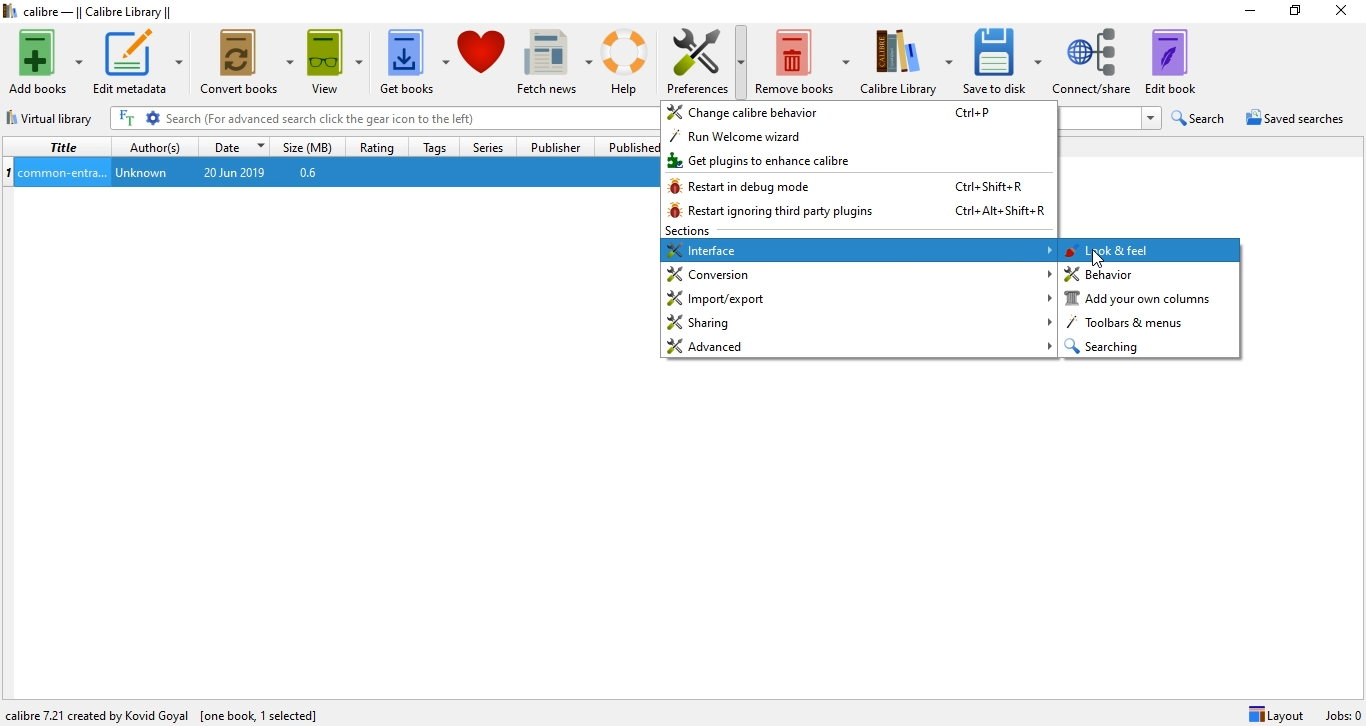  I want to click on Layout, so click(1276, 714).